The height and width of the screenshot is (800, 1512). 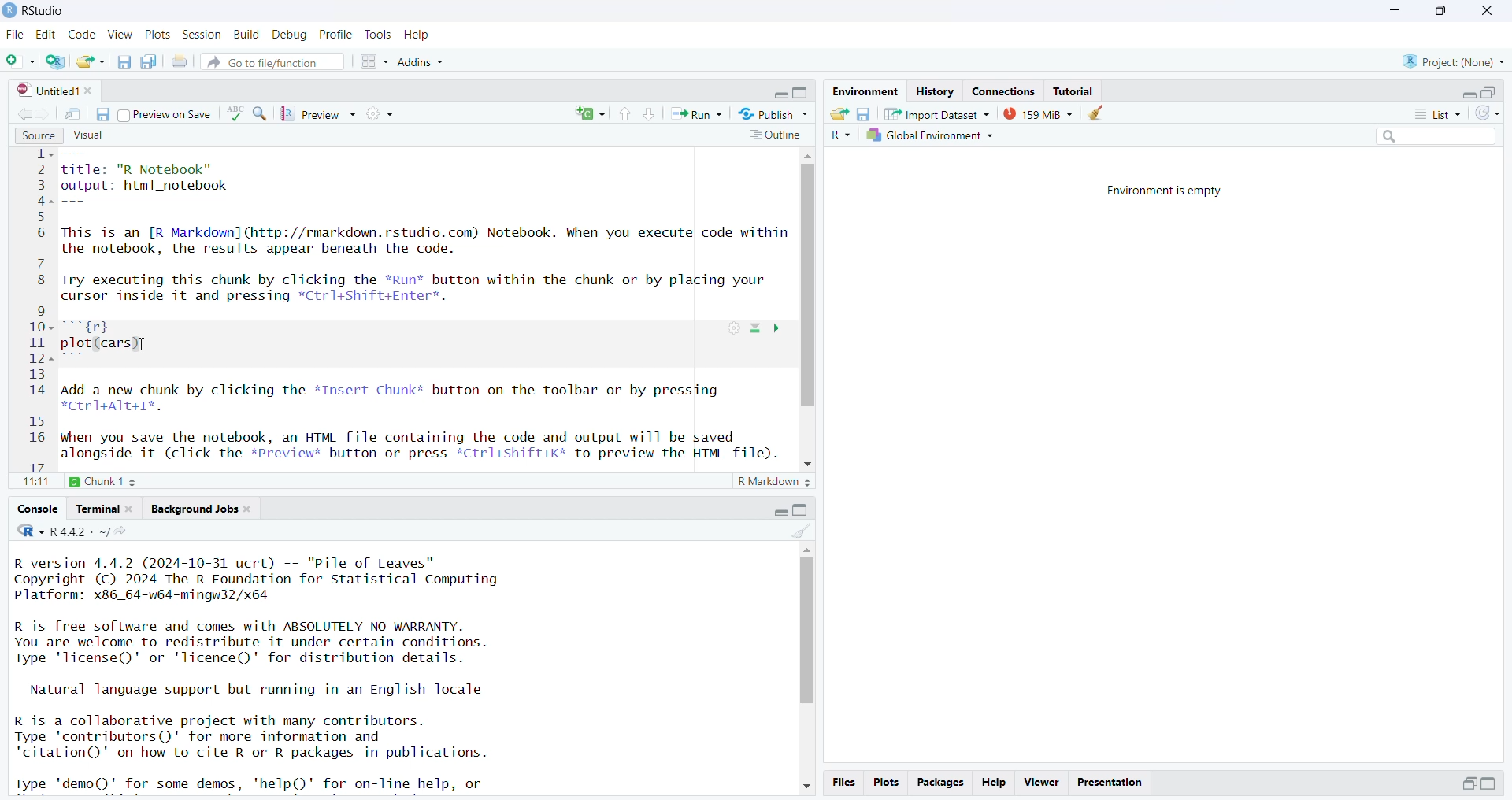 I want to click on background jobs, so click(x=202, y=509).